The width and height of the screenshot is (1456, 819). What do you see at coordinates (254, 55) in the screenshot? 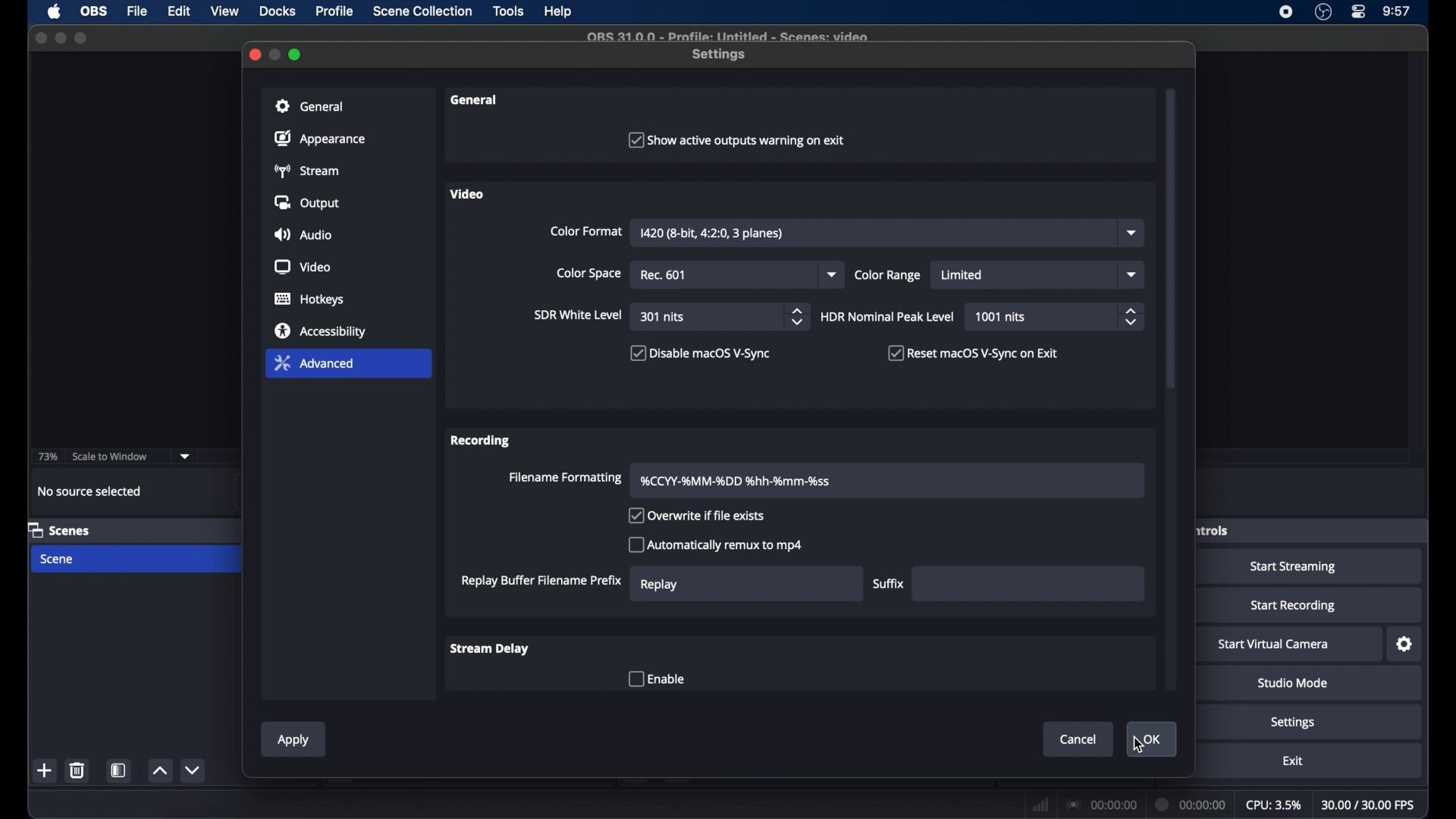
I see `close` at bounding box center [254, 55].